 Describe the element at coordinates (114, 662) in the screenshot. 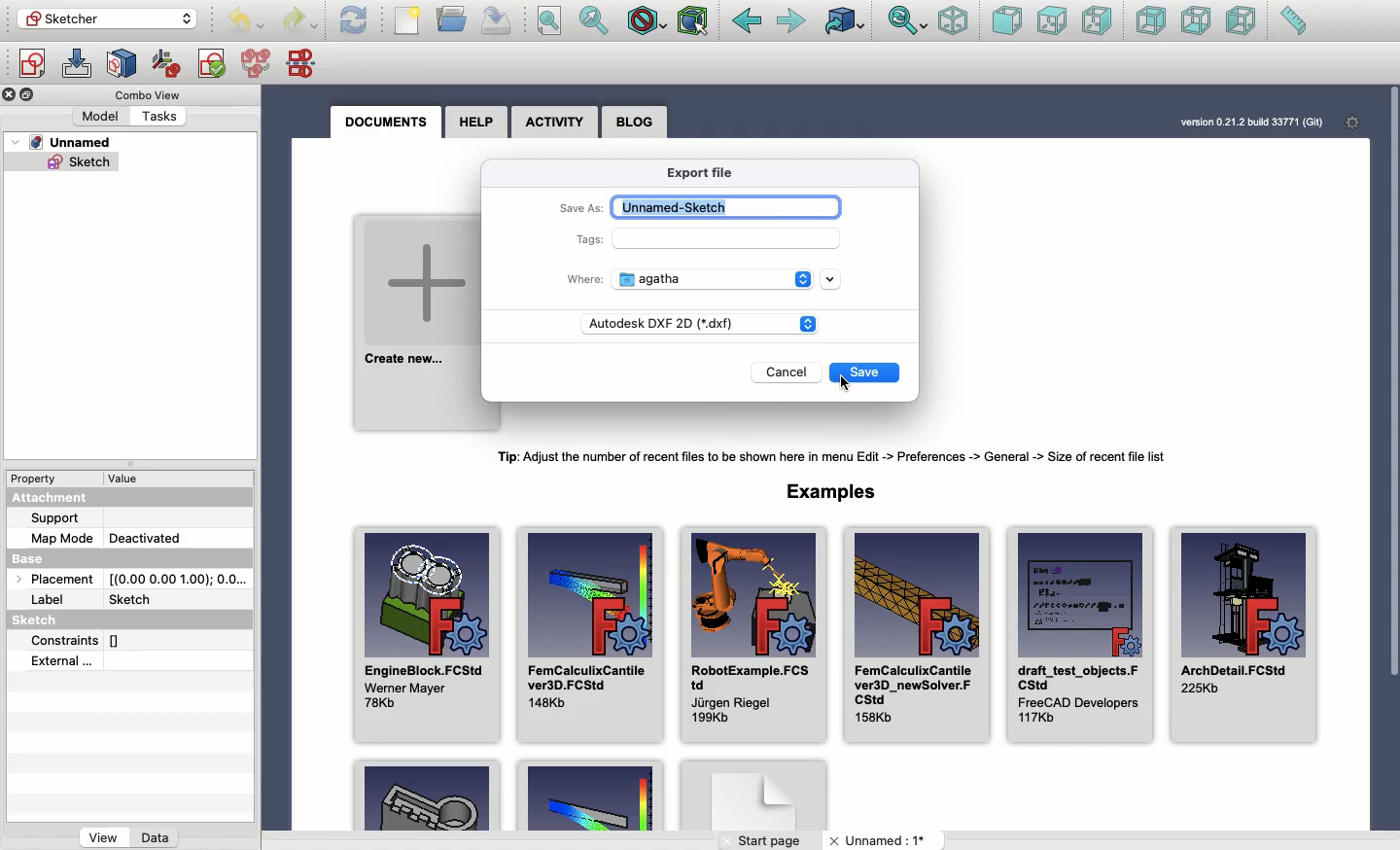

I see `External...` at that location.